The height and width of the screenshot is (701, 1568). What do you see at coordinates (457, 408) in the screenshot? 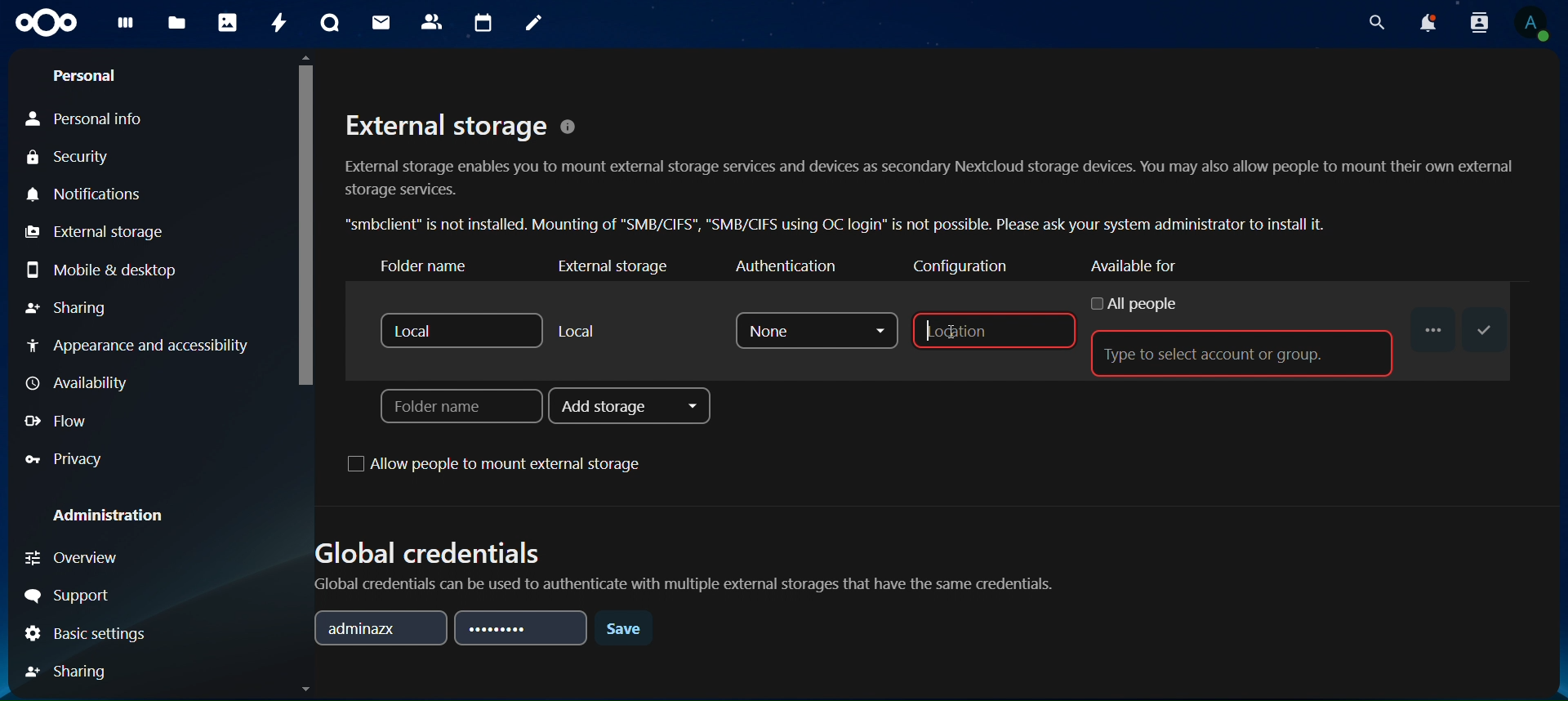
I see `folder name` at bounding box center [457, 408].